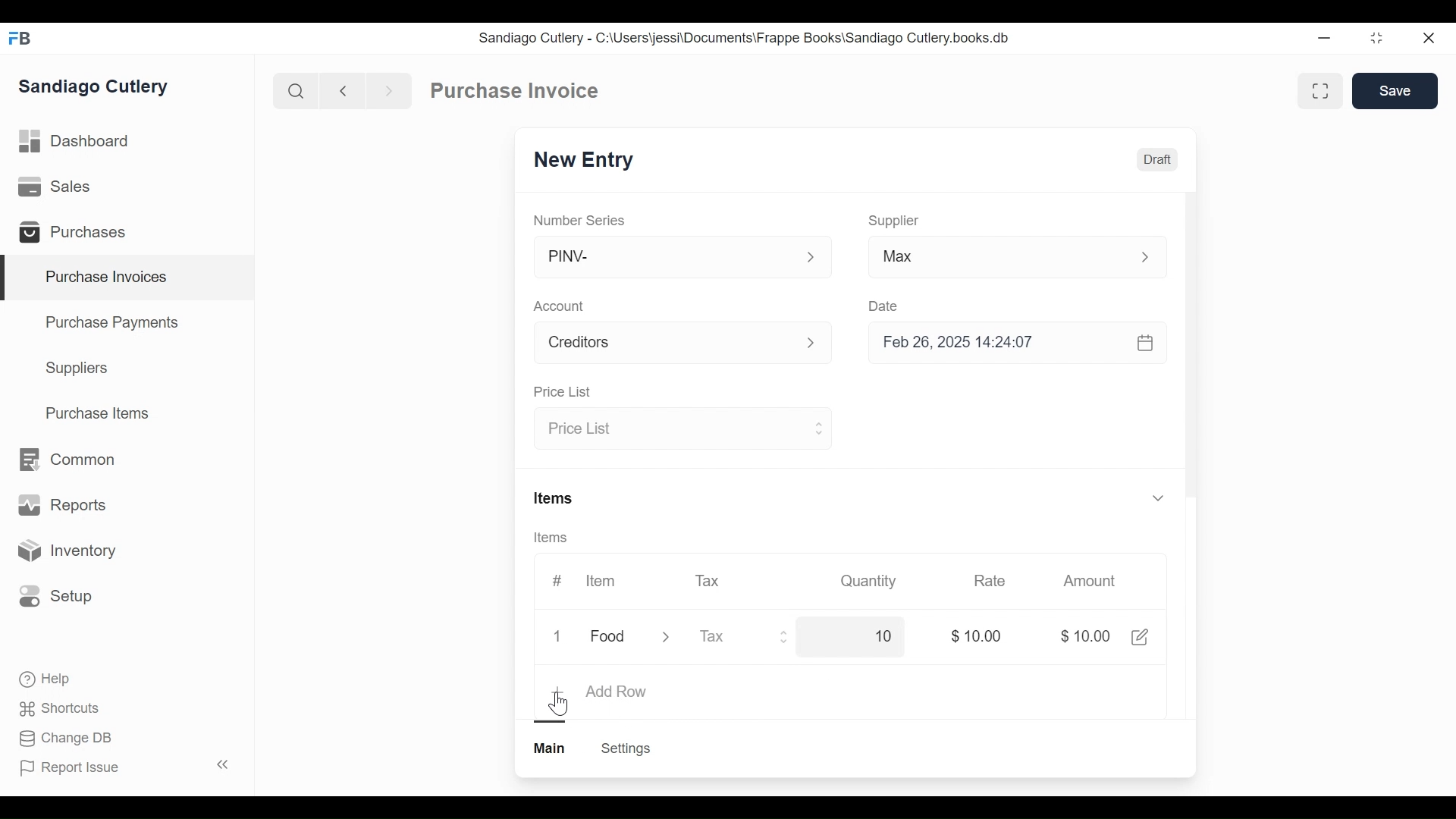 The height and width of the screenshot is (819, 1456). What do you see at coordinates (588, 161) in the screenshot?
I see `New Entry` at bounding box center [588, 161].